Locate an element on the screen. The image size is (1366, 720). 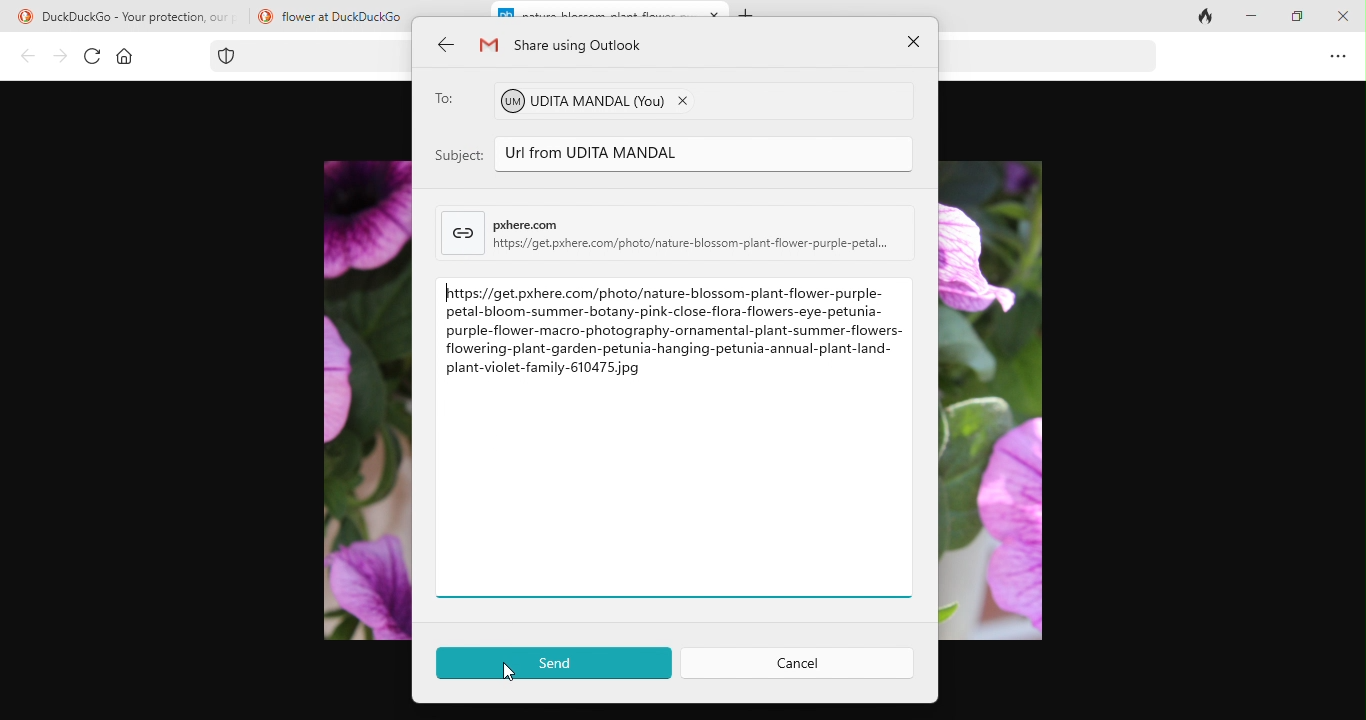
 Url from UDITA MANDAL is located at coordinates (703, 156).